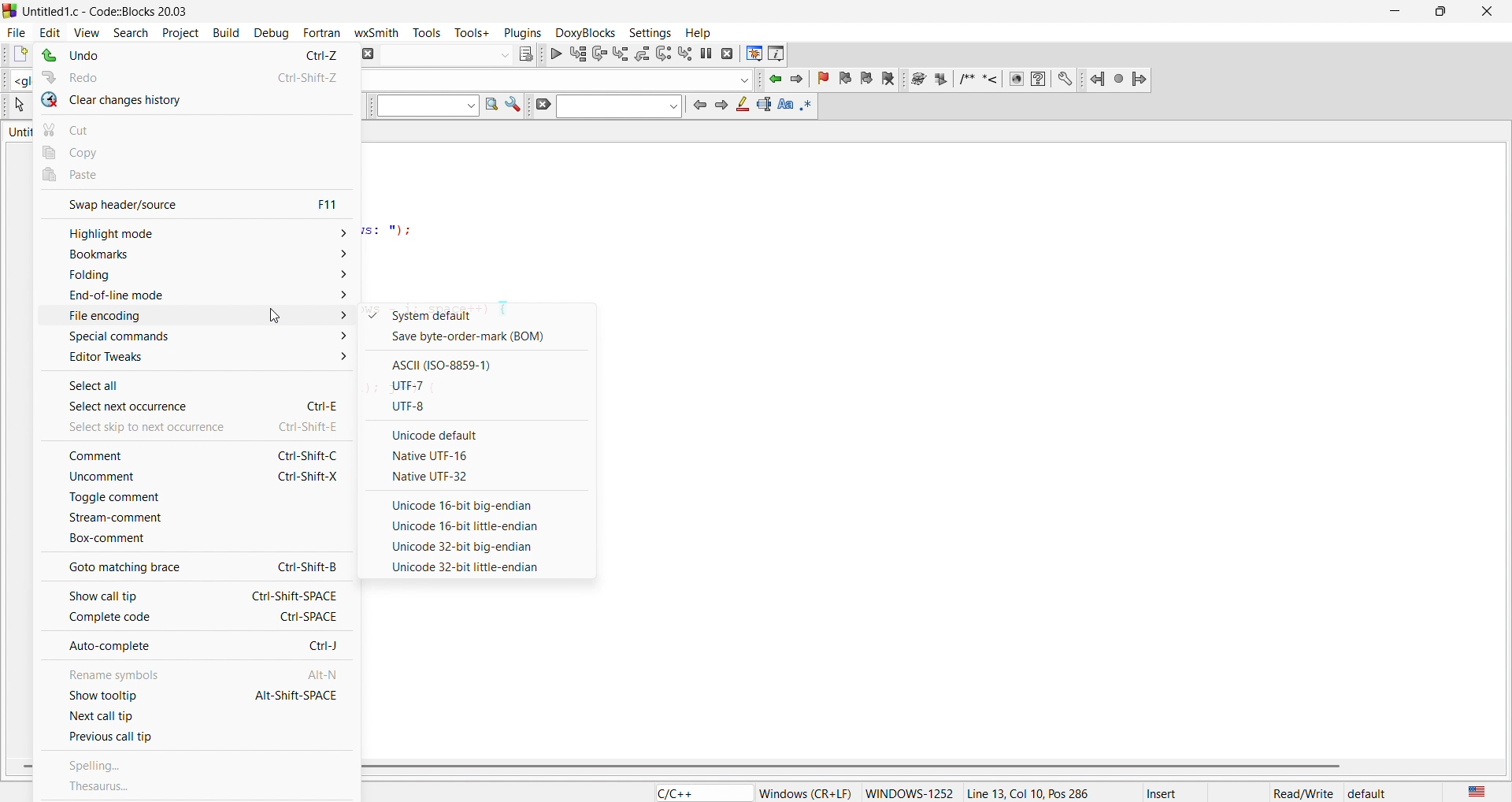  What do you see at coordinates (192, 385) in the screenshot?
I see `select all ` at bounding box center [192, 385].